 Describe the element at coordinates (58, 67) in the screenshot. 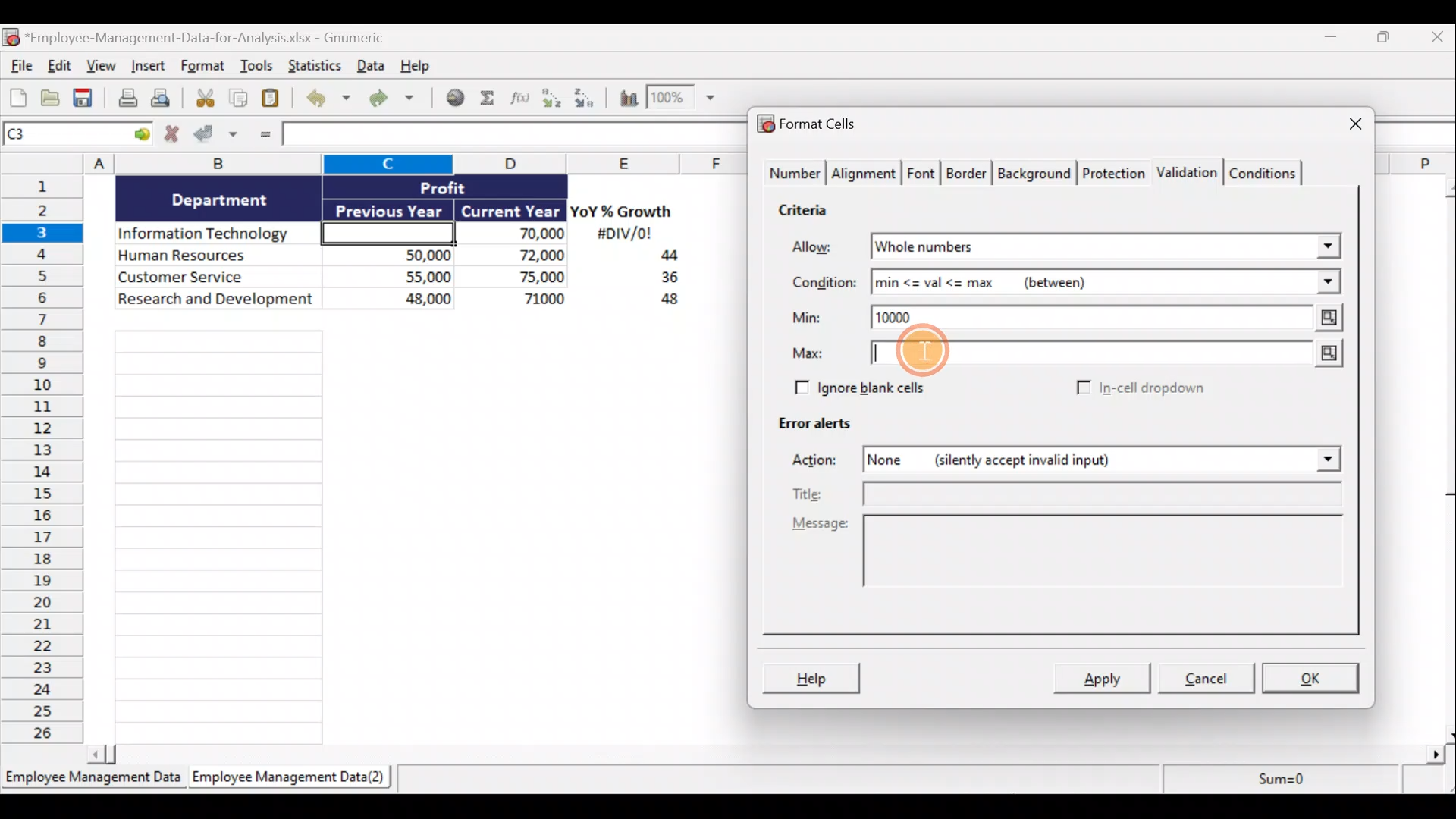

I see `Edit` at that location.